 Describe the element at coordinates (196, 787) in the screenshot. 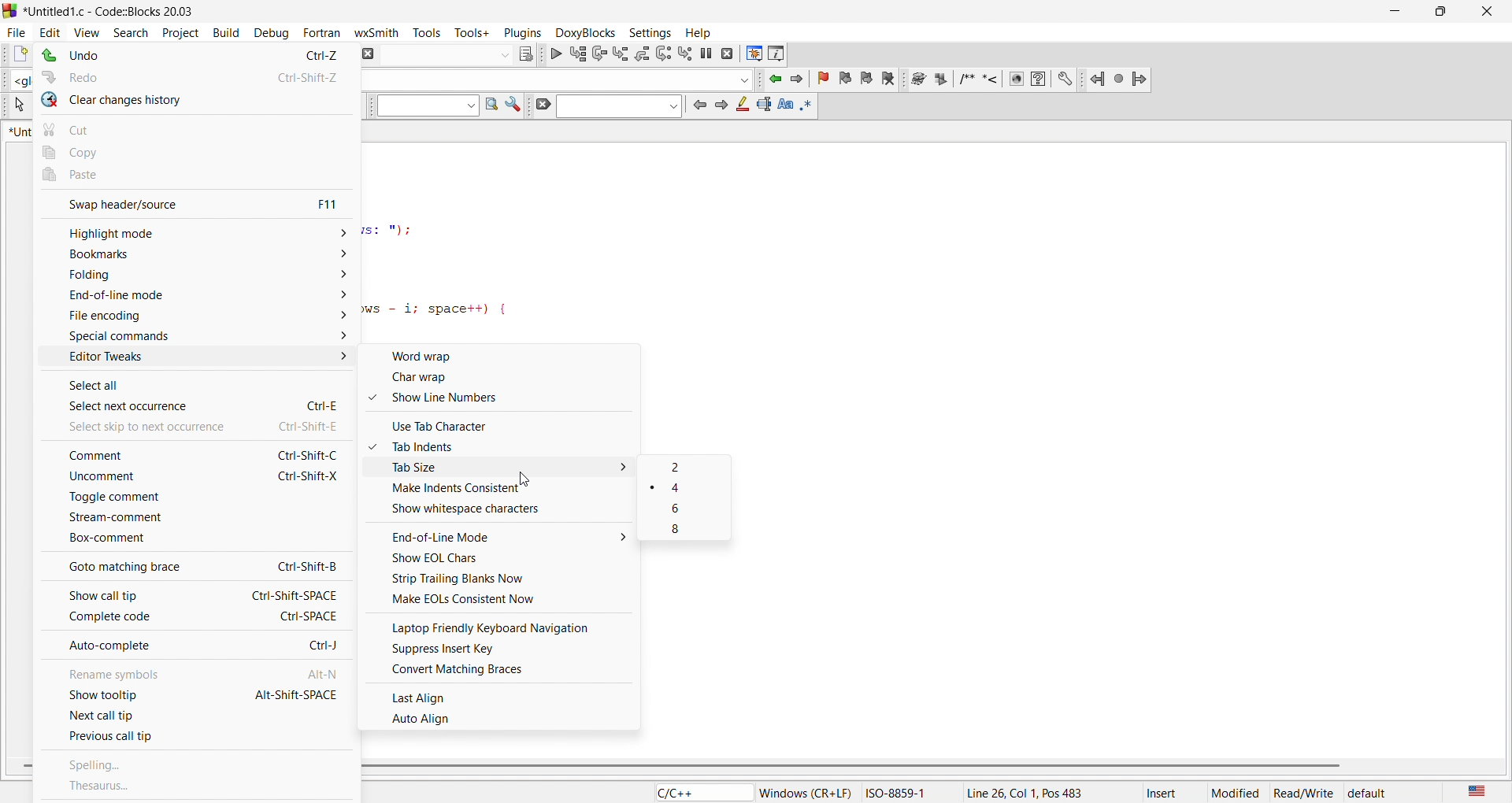

I see `thesaurus ` at that location.